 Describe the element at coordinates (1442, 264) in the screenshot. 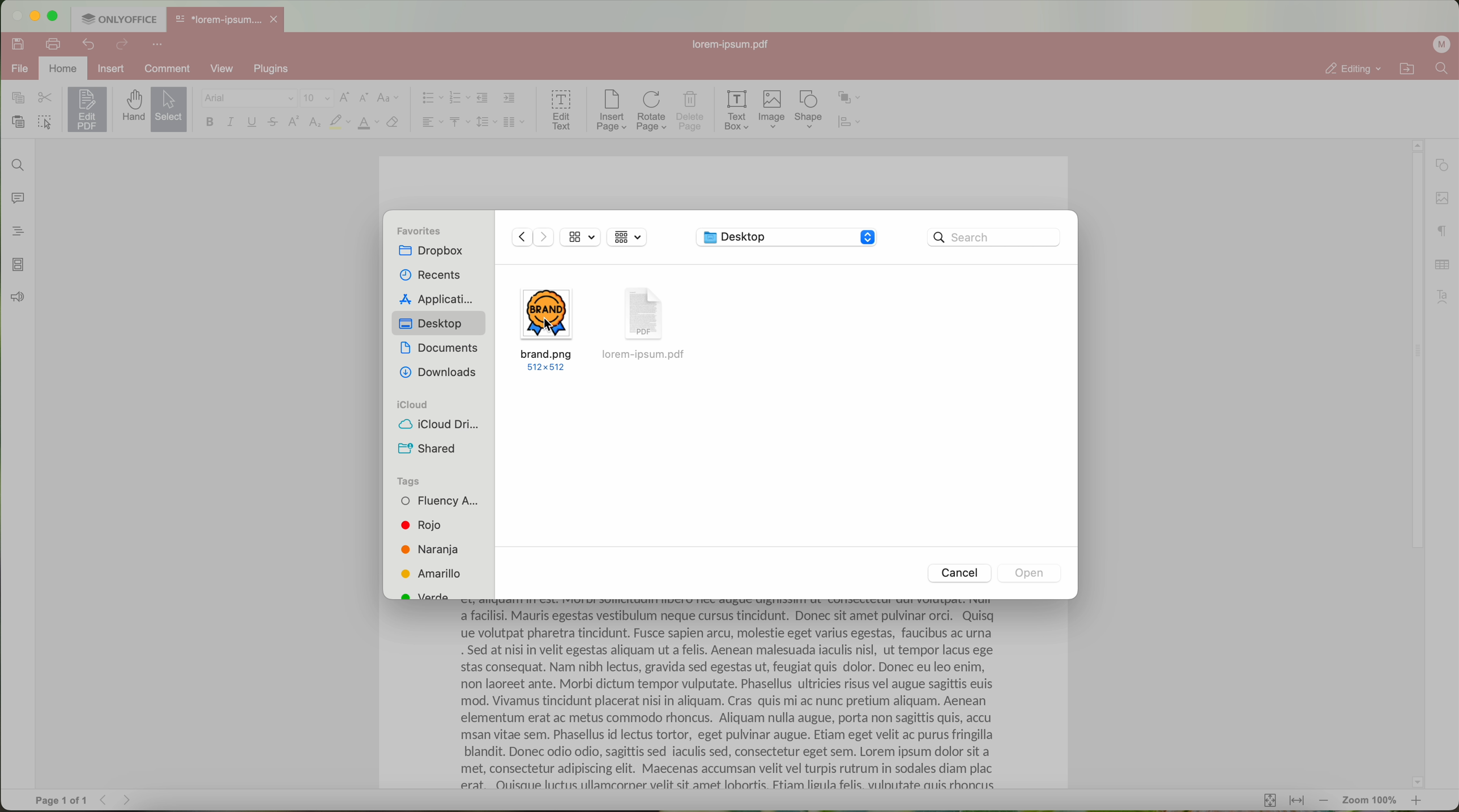

I see `table settings` at that location.